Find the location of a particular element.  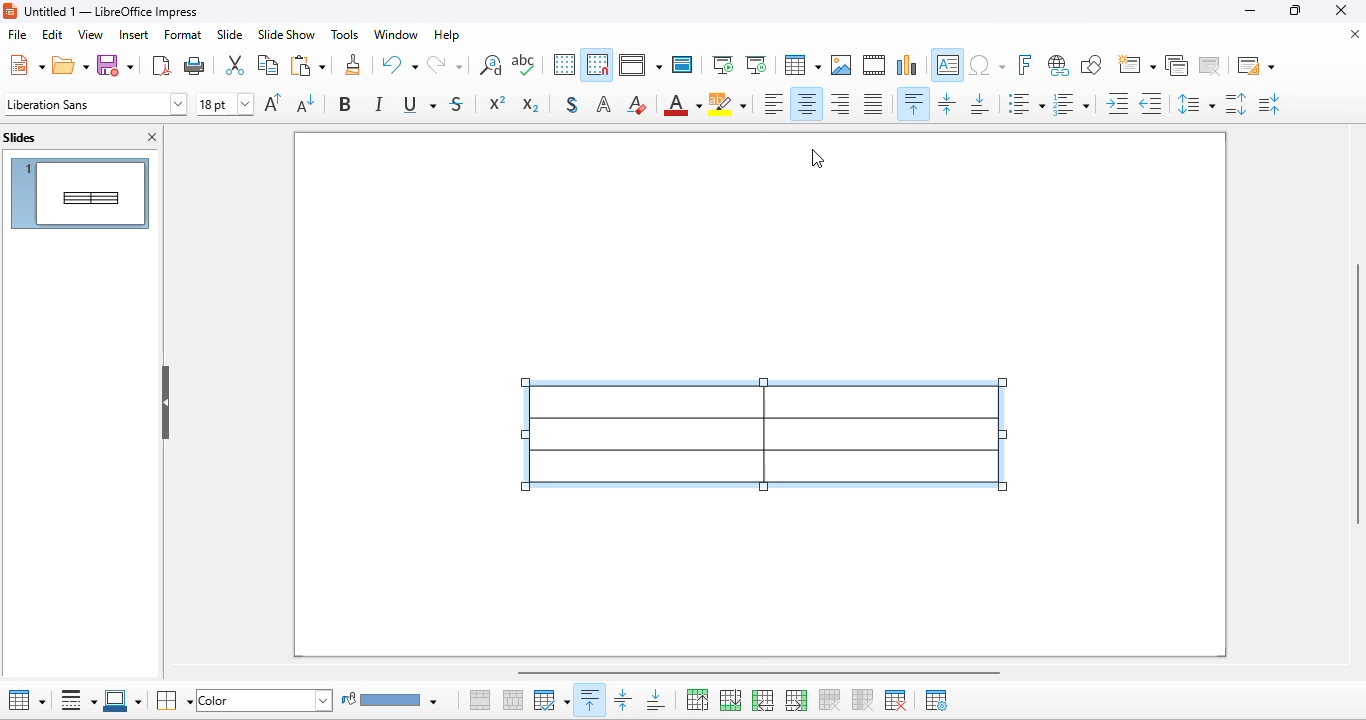

new is located at coordinates (26, 65).